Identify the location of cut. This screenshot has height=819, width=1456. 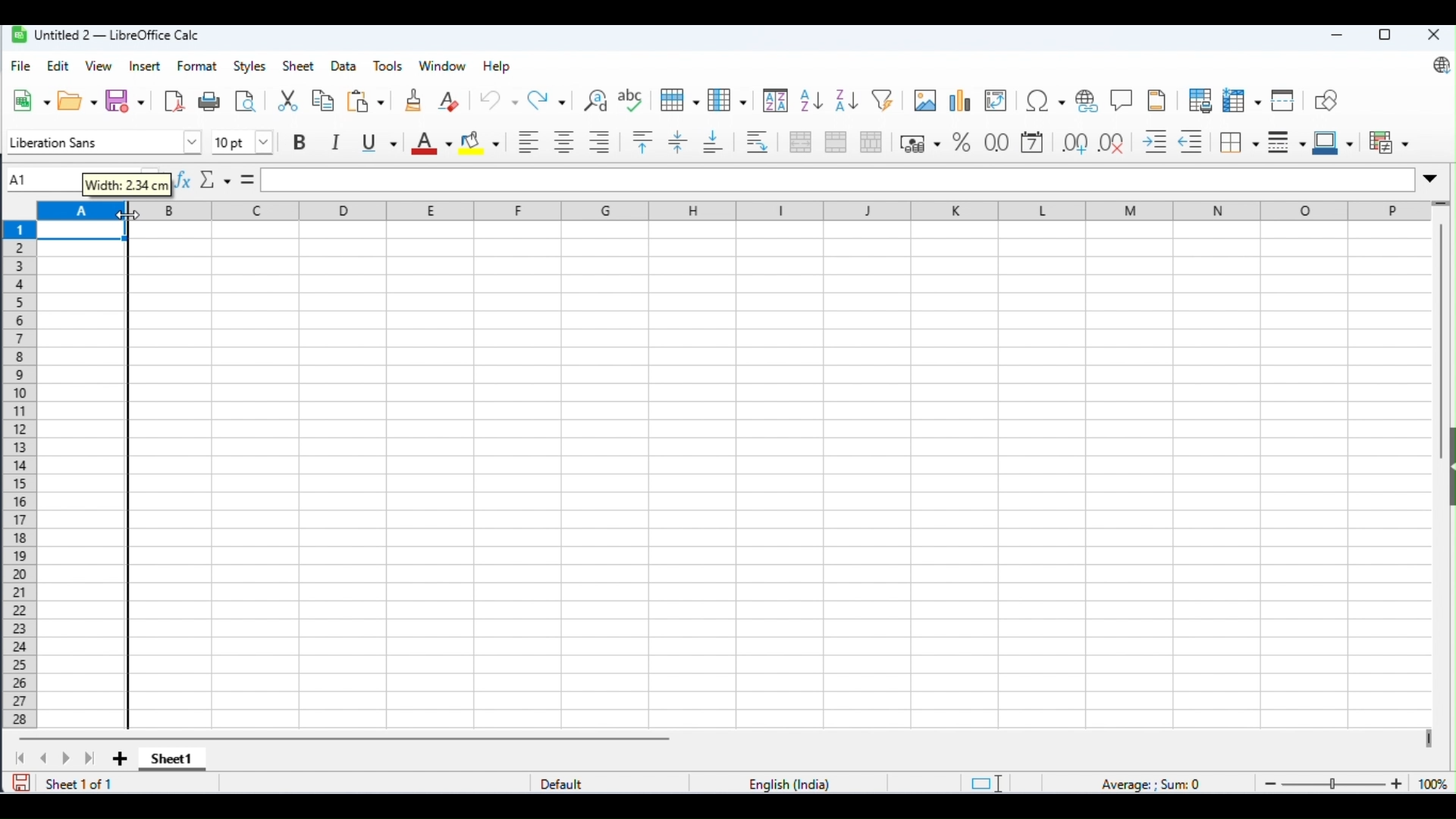
(287, 100).